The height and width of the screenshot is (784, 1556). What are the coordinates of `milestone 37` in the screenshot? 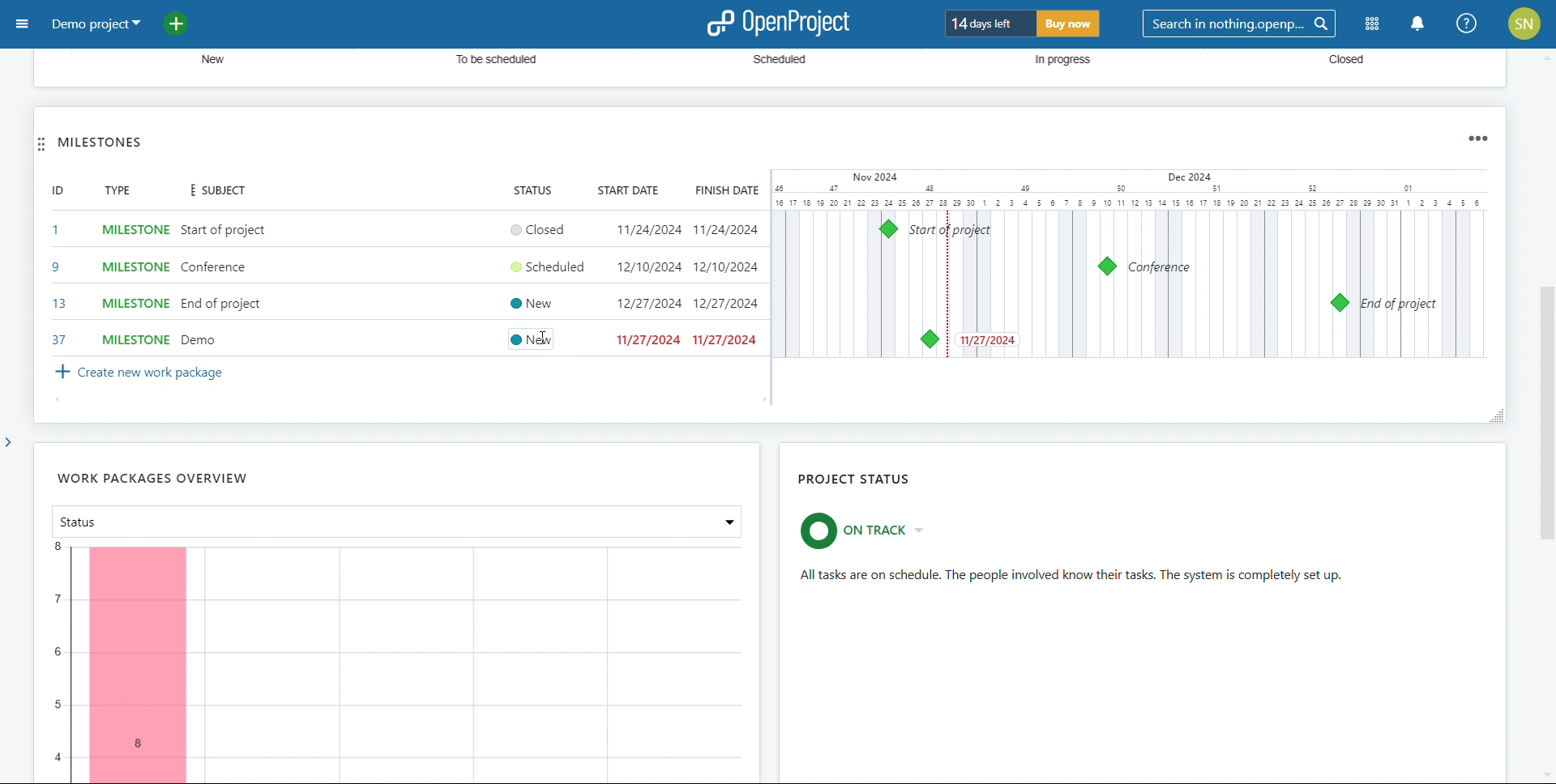 It's located at (929, 339).